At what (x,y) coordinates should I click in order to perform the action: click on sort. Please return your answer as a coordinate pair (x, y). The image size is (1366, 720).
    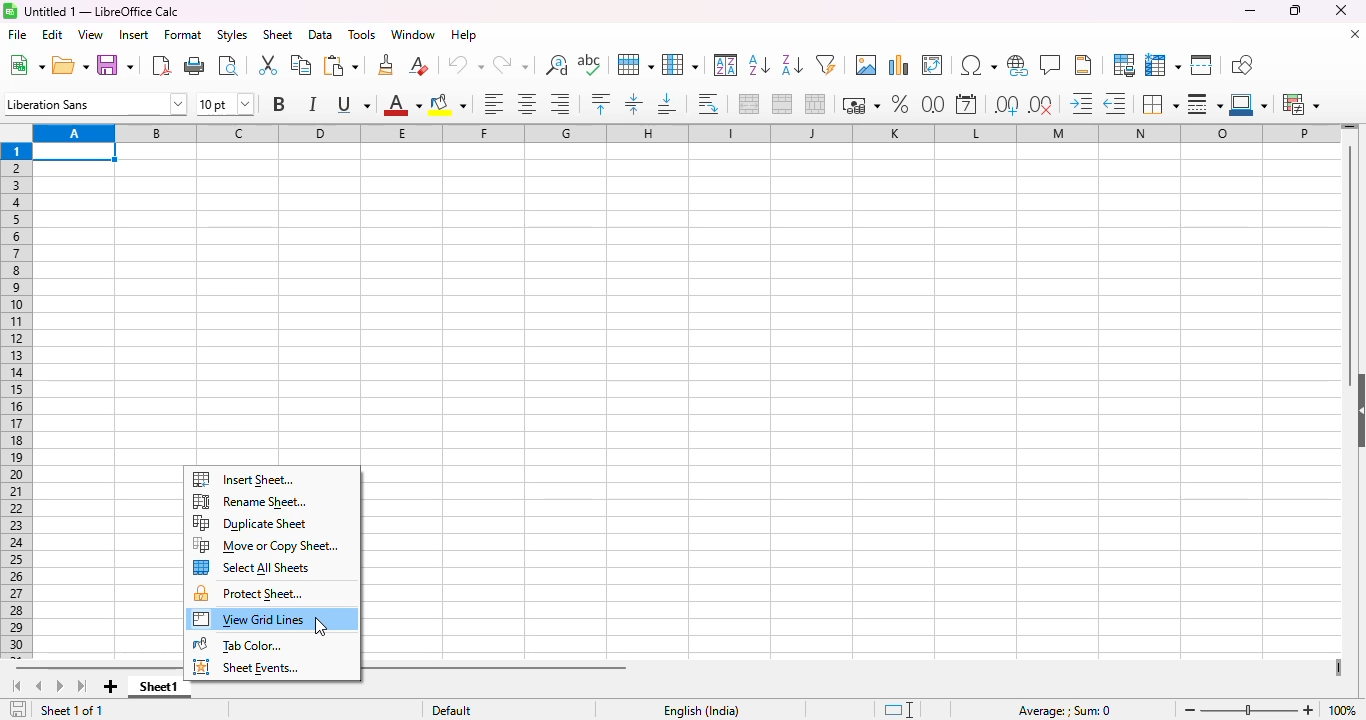
    Looking at the image, I should click on (726, 65).